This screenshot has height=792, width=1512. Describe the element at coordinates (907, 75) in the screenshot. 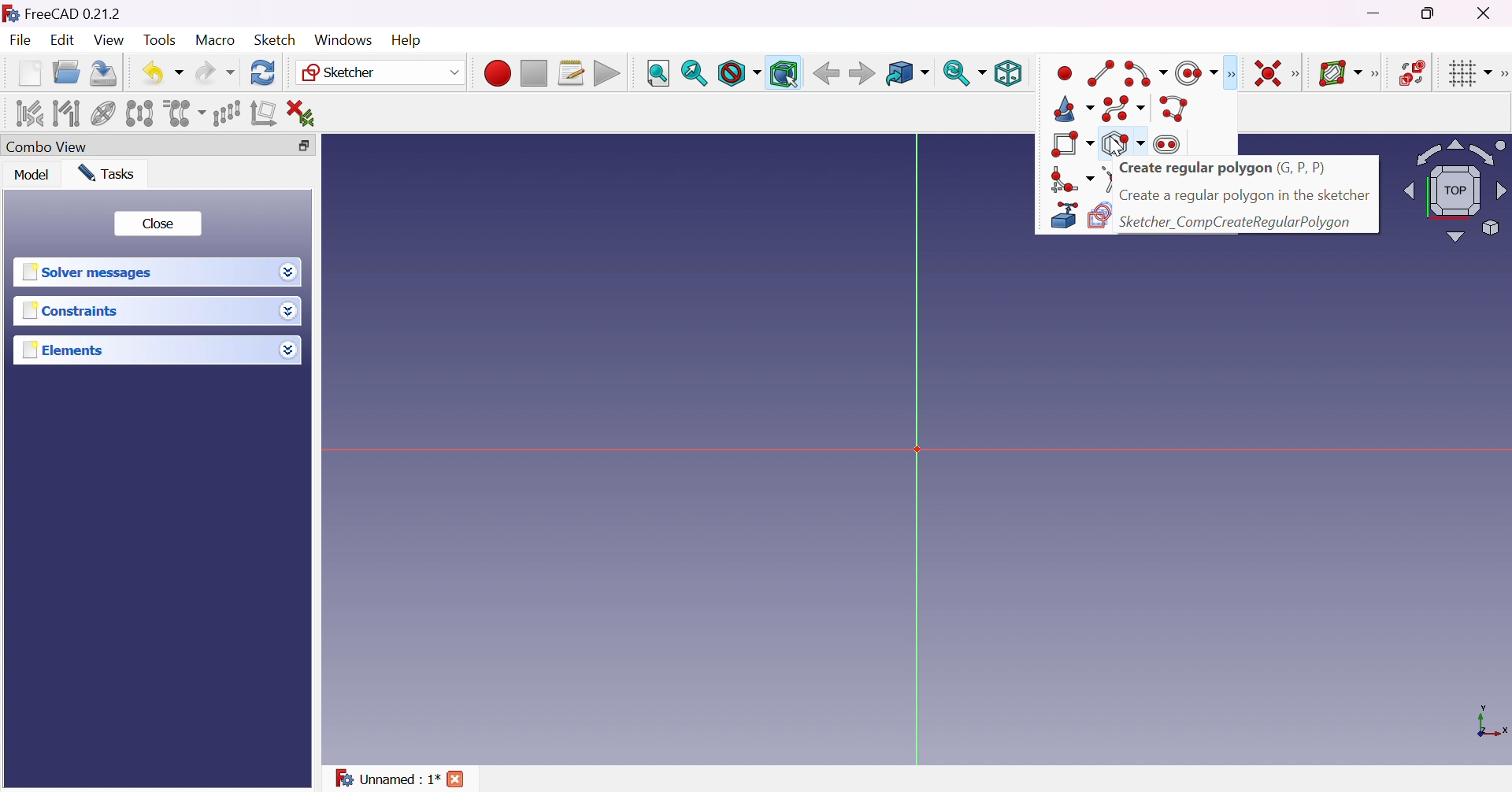

I see `Go to linked object` at that location.